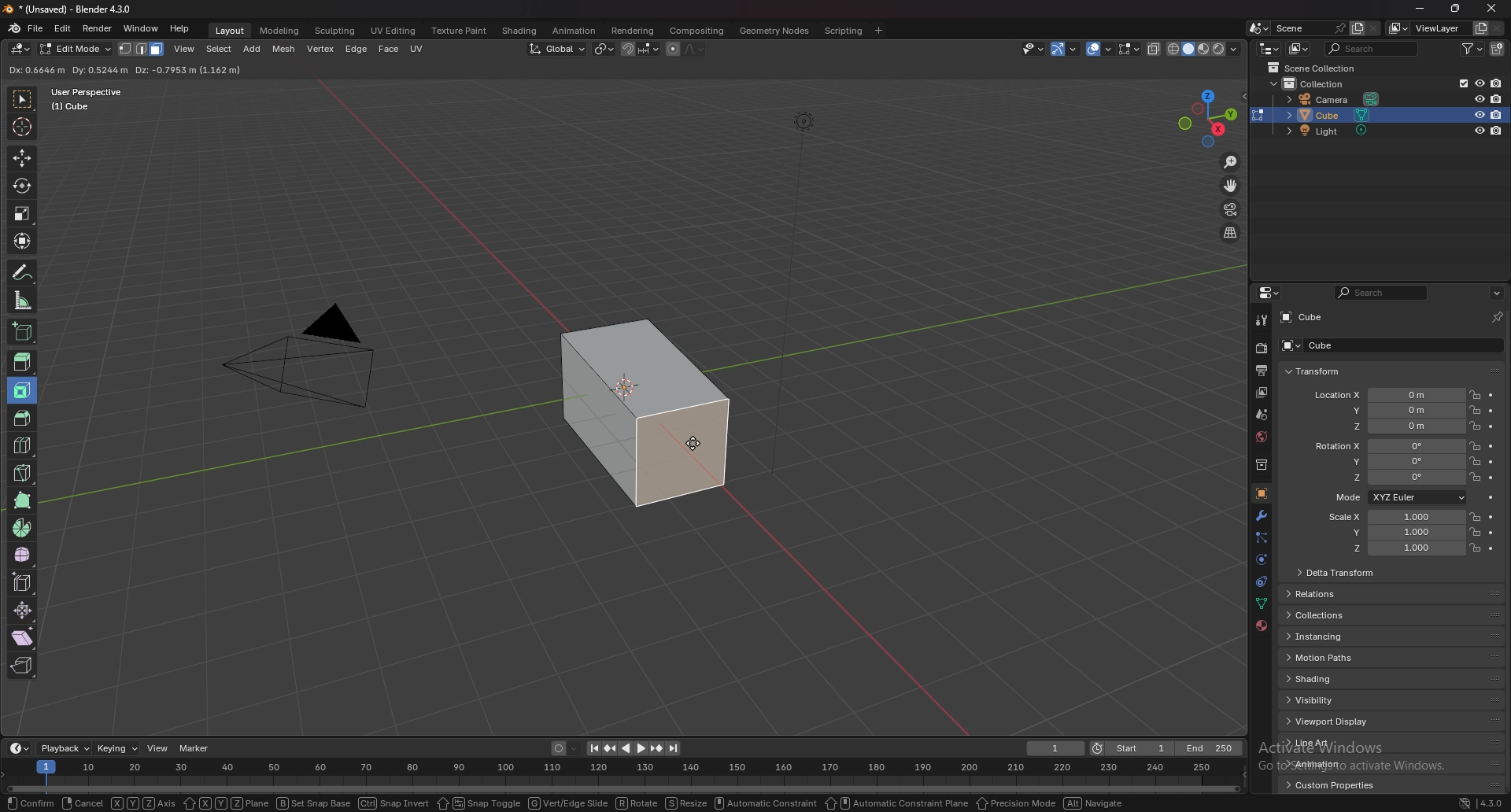  I want to click on window, so click(142, 28).